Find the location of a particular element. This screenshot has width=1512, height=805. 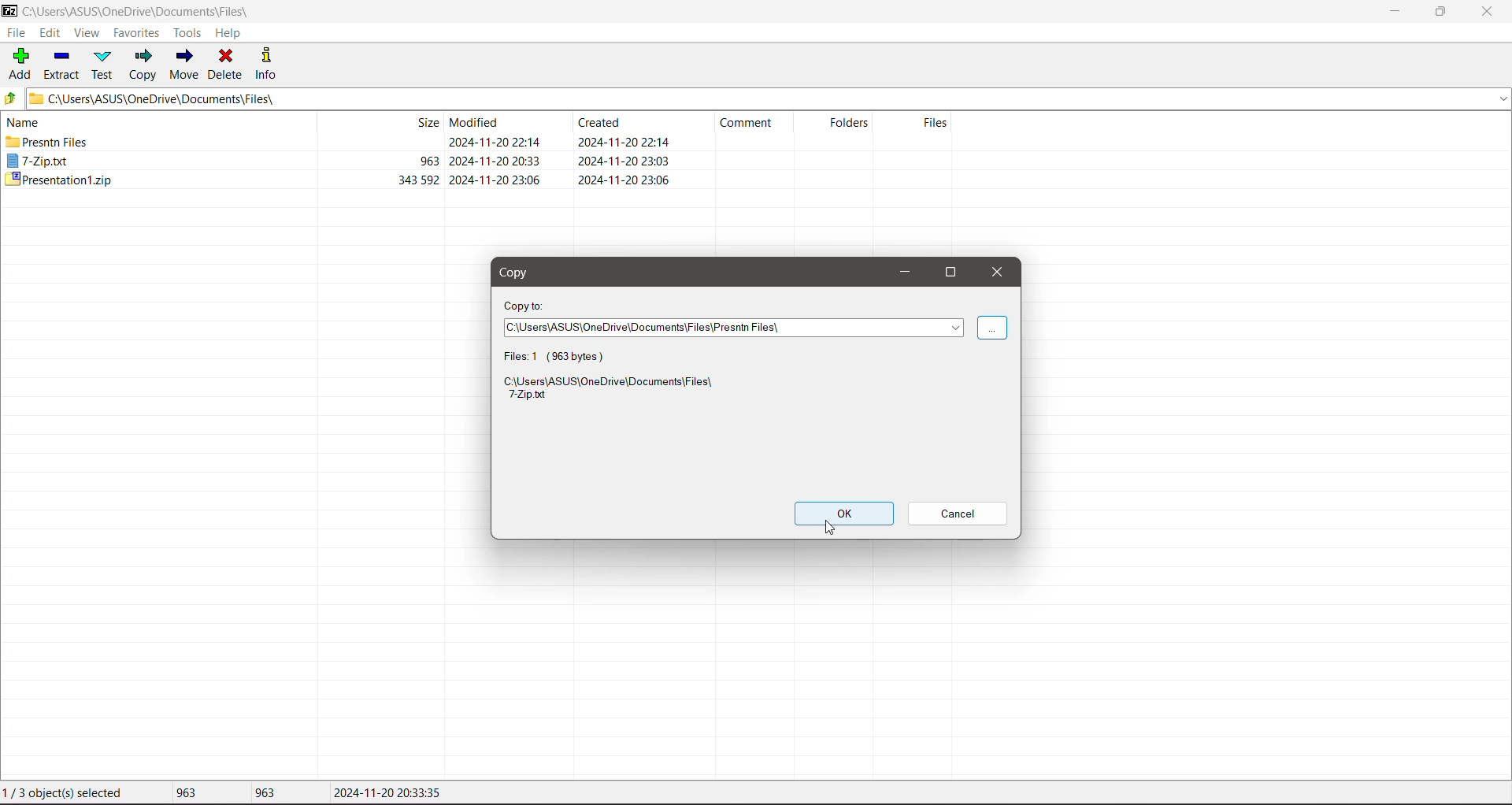

Presentation1.zip is located at coordinates (57, 180).